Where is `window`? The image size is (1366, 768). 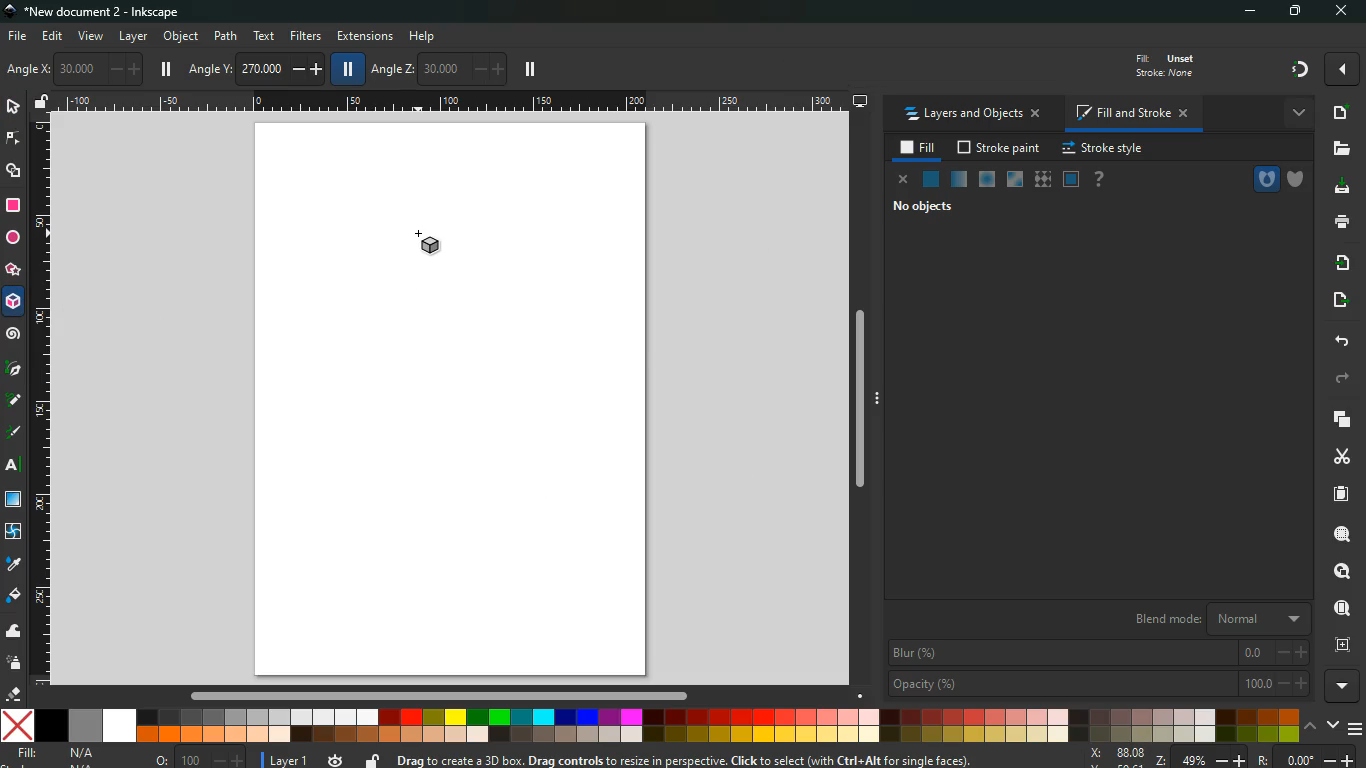 window is located at coordinates (1013, 180).